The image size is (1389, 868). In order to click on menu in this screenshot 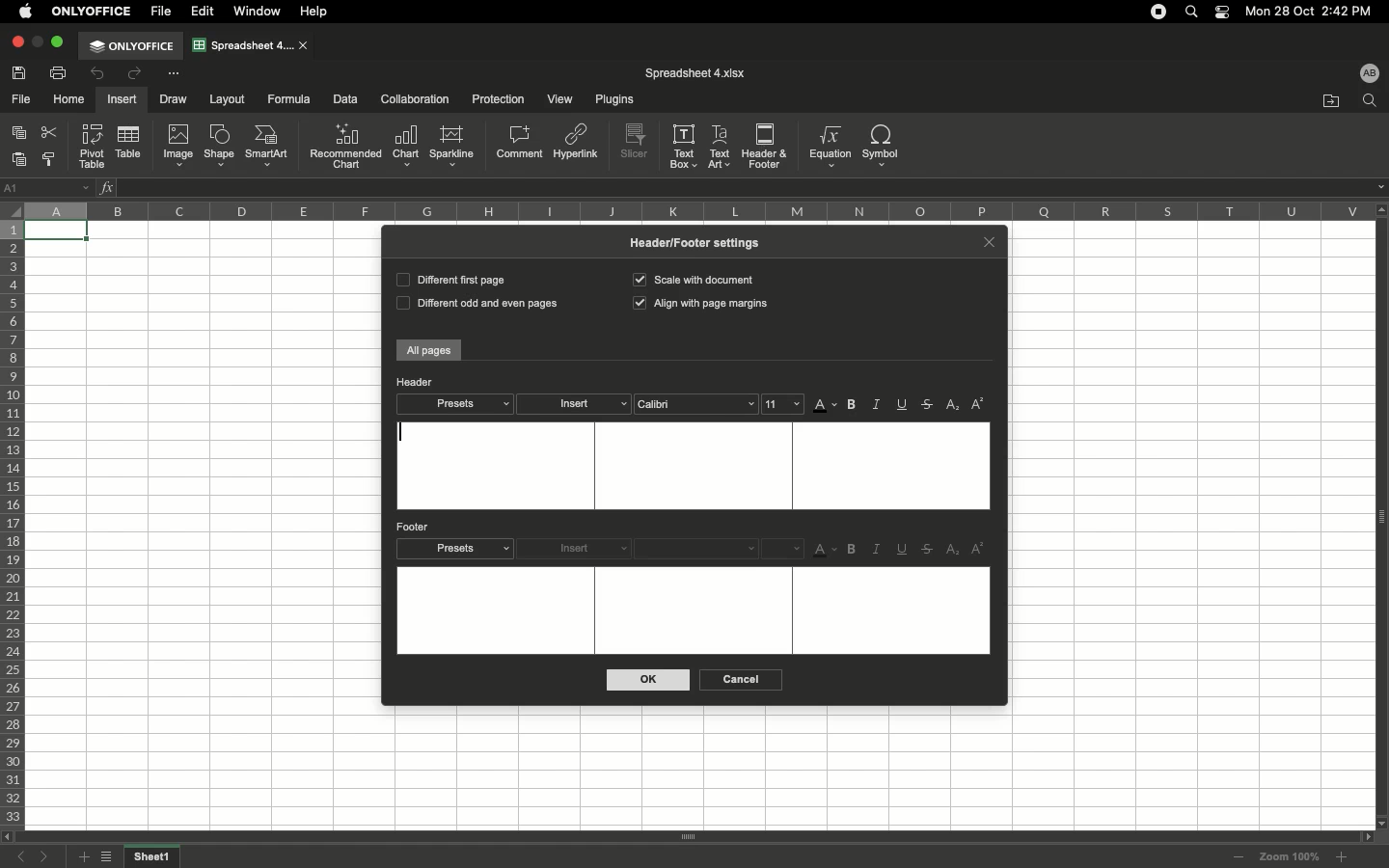, I will do `click(784, 548)`.